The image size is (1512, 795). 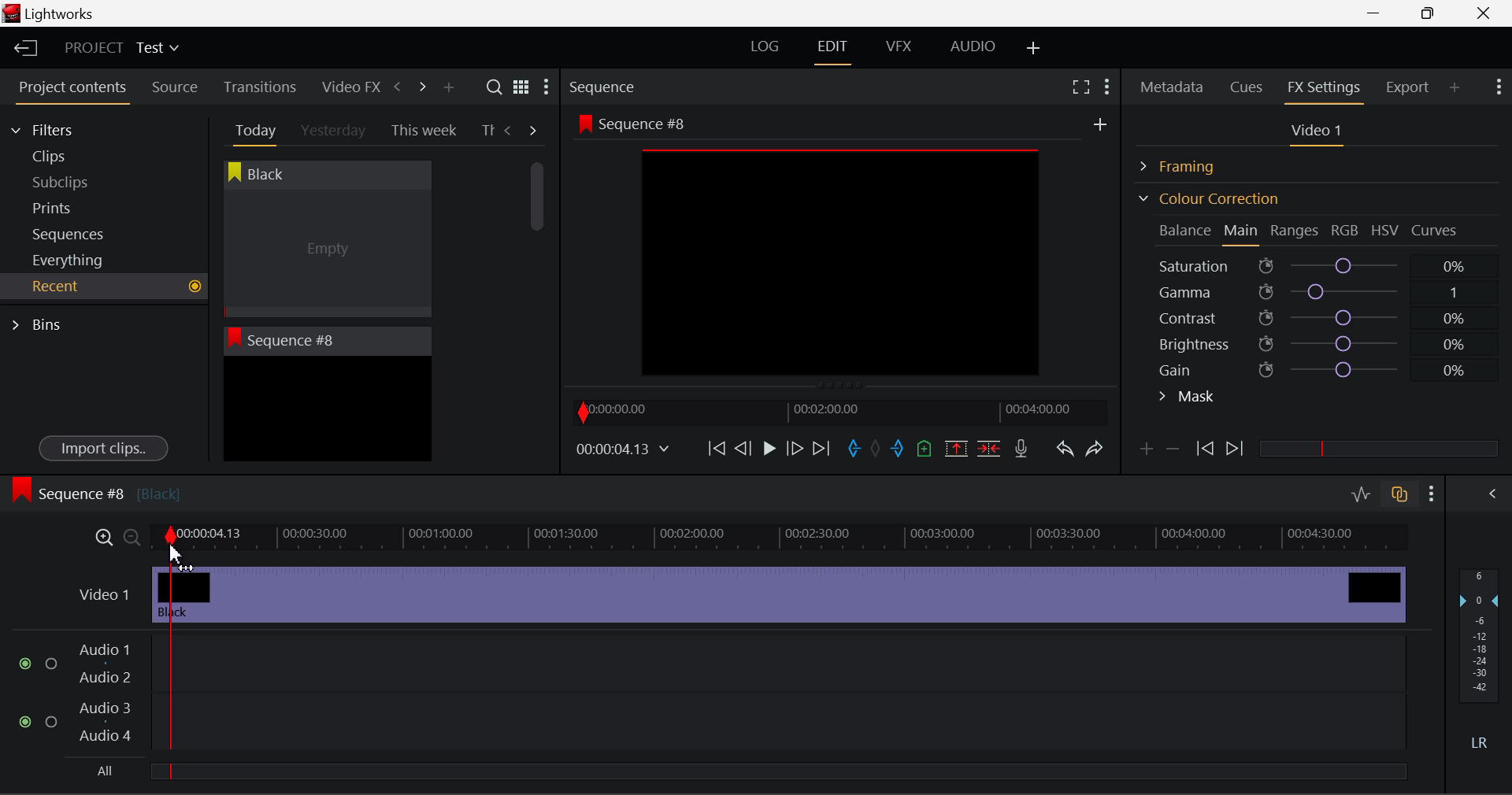 What do you see at coordinates (57, 128) in the screenshot?
I see `Filters` at bounding box center [57, 128].